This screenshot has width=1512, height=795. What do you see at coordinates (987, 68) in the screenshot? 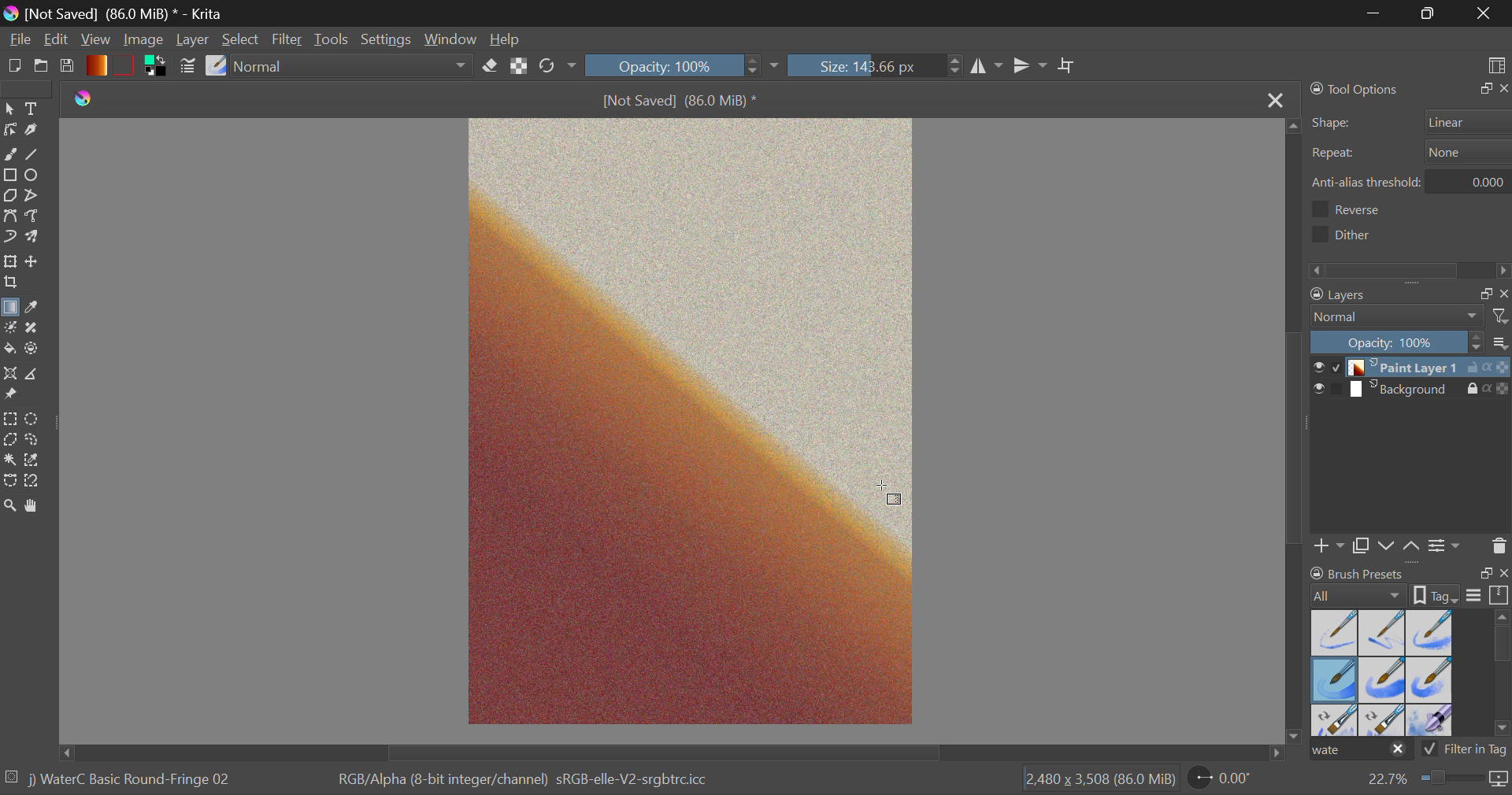
I see `Vertical Mirror Flip` at bounding box center [987, 68].